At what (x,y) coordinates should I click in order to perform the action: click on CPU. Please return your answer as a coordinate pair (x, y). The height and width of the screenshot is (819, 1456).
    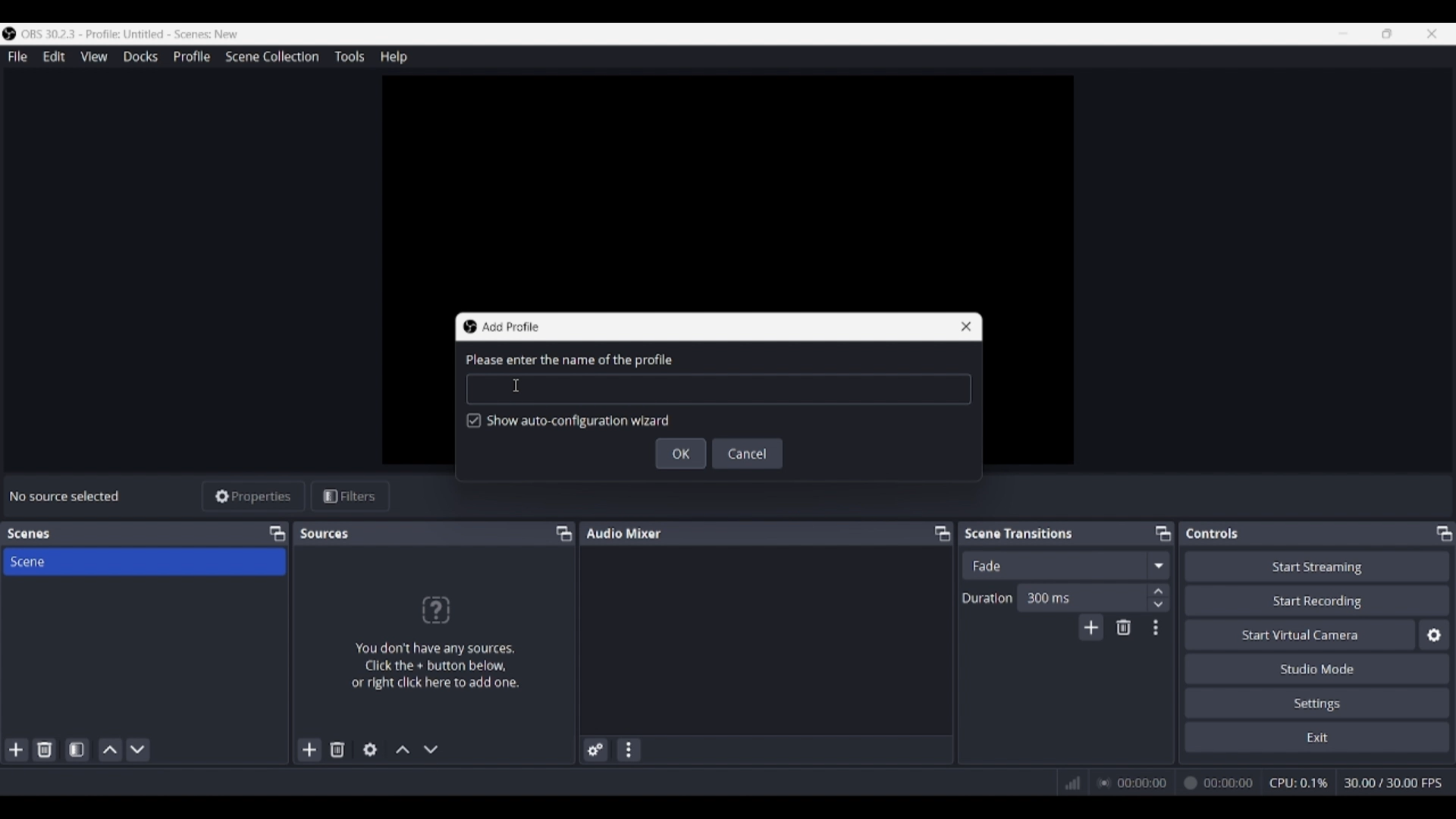
    Looking at the image, I should click on (1299, 783).